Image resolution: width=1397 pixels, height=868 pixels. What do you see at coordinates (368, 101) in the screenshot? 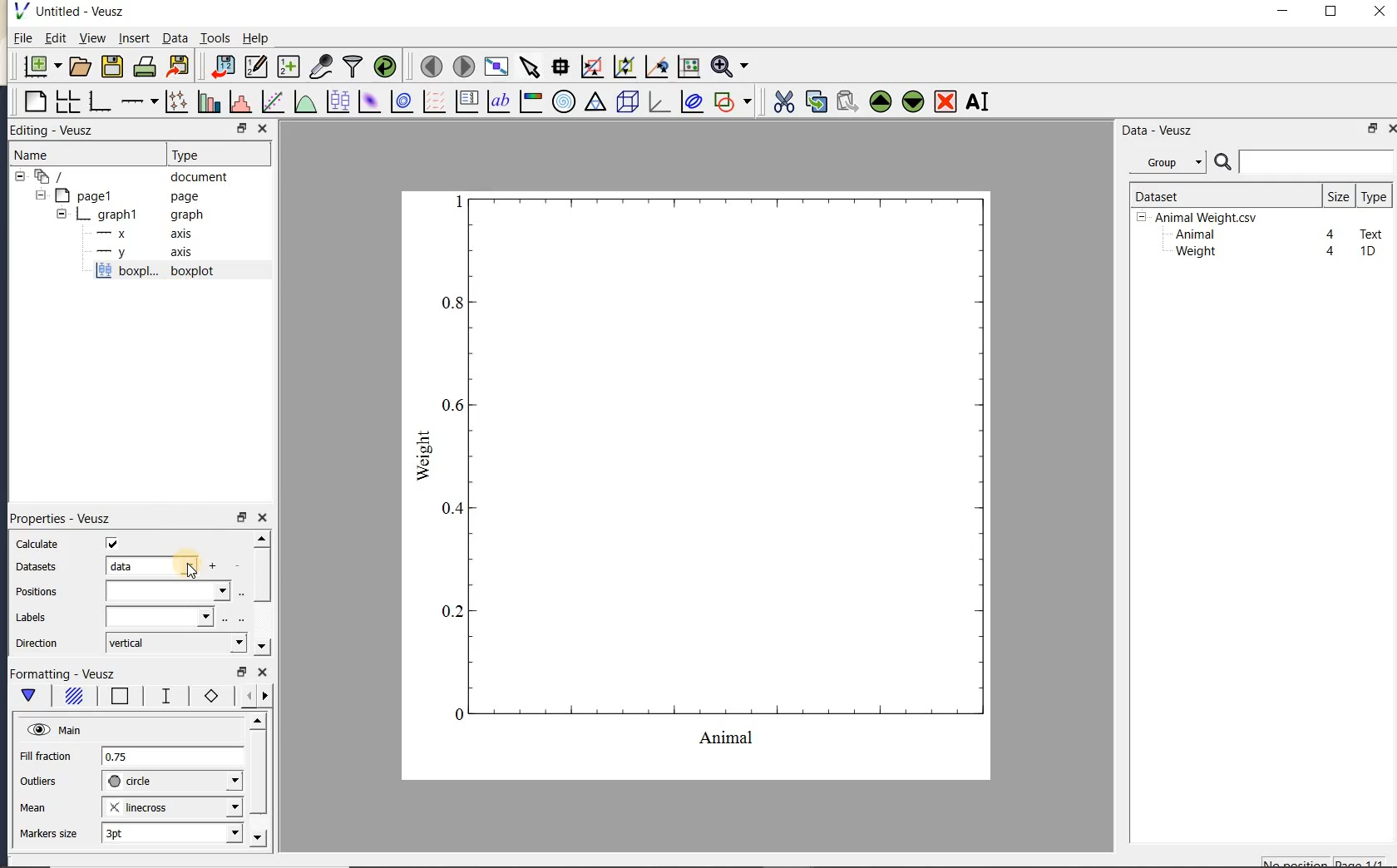
I see `plot a 2d dataset as an image` at bounding box center [368, 101].